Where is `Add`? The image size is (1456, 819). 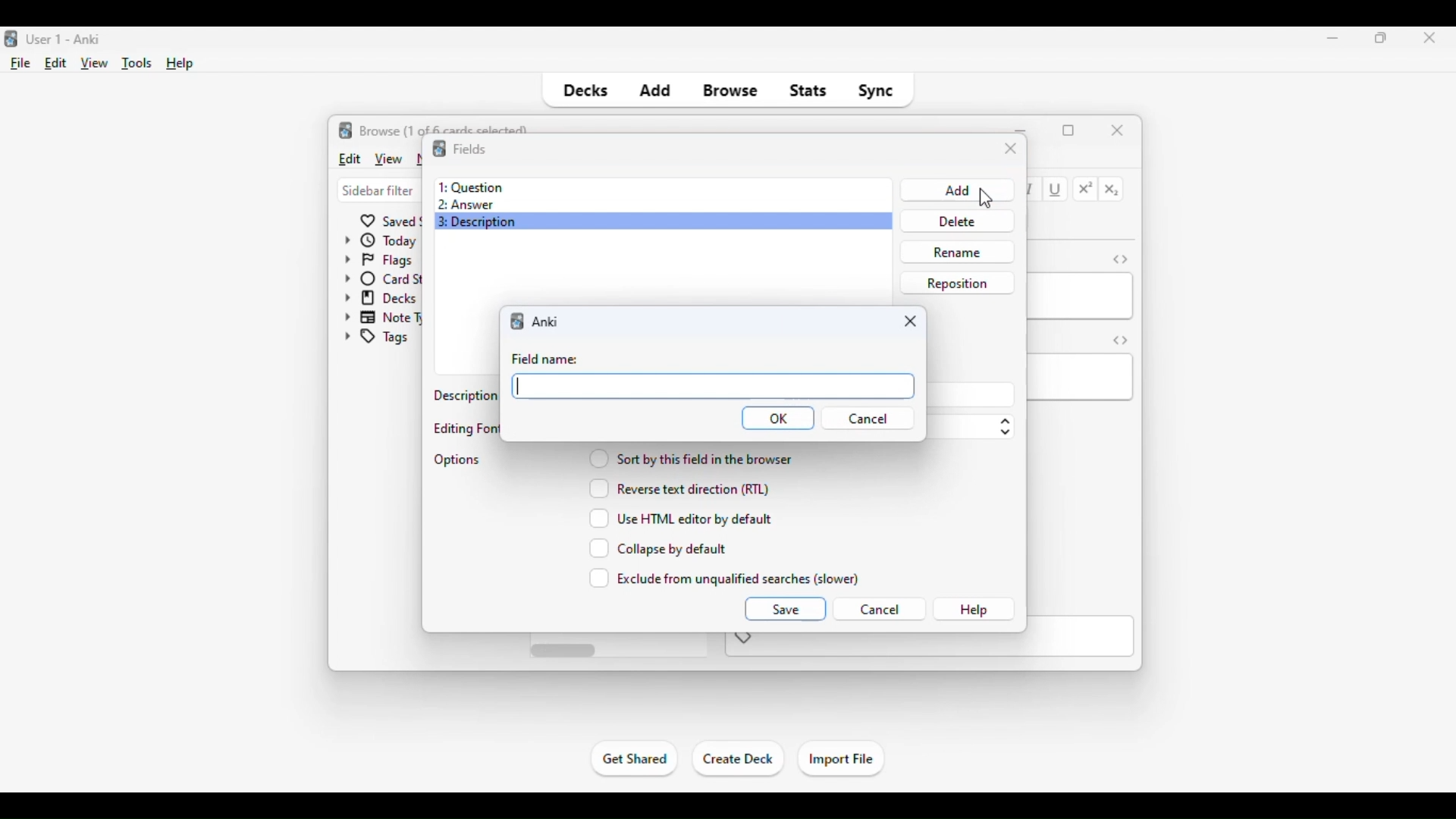 Add is located at coordinates (955, 190).